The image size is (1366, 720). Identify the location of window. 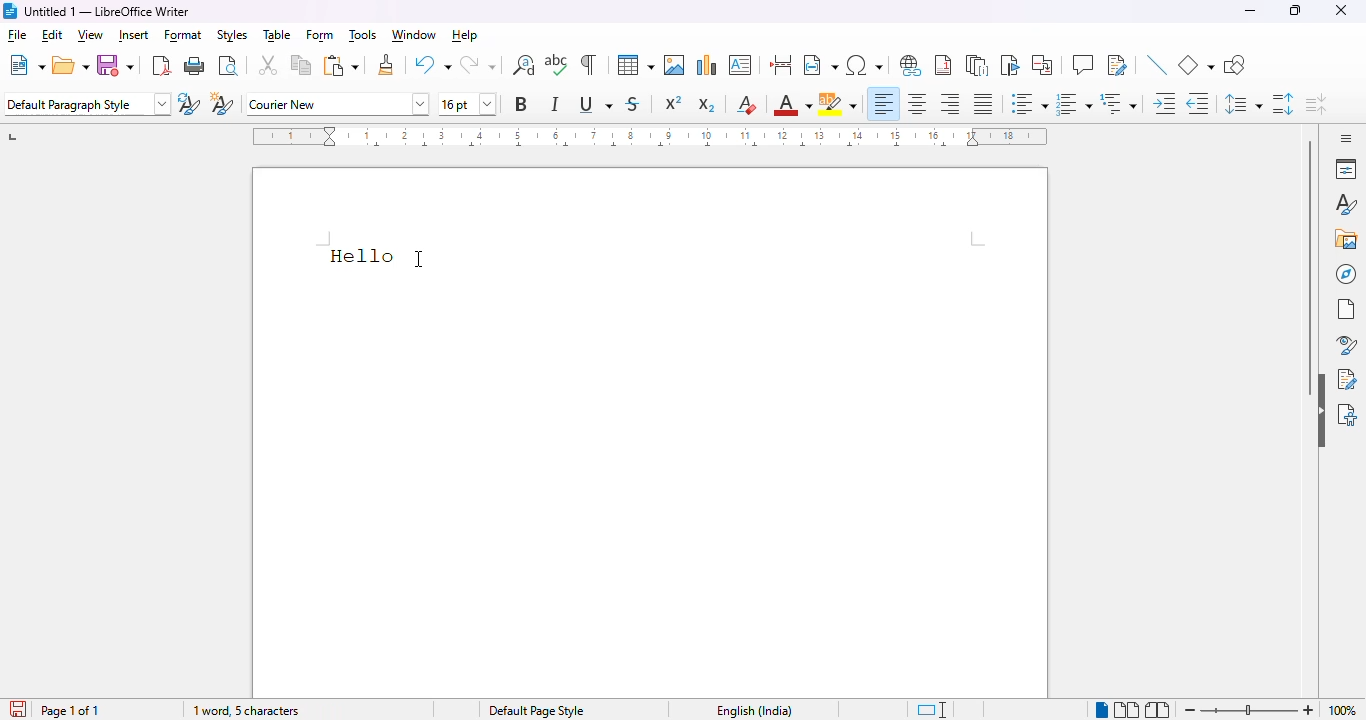
(413, 35).